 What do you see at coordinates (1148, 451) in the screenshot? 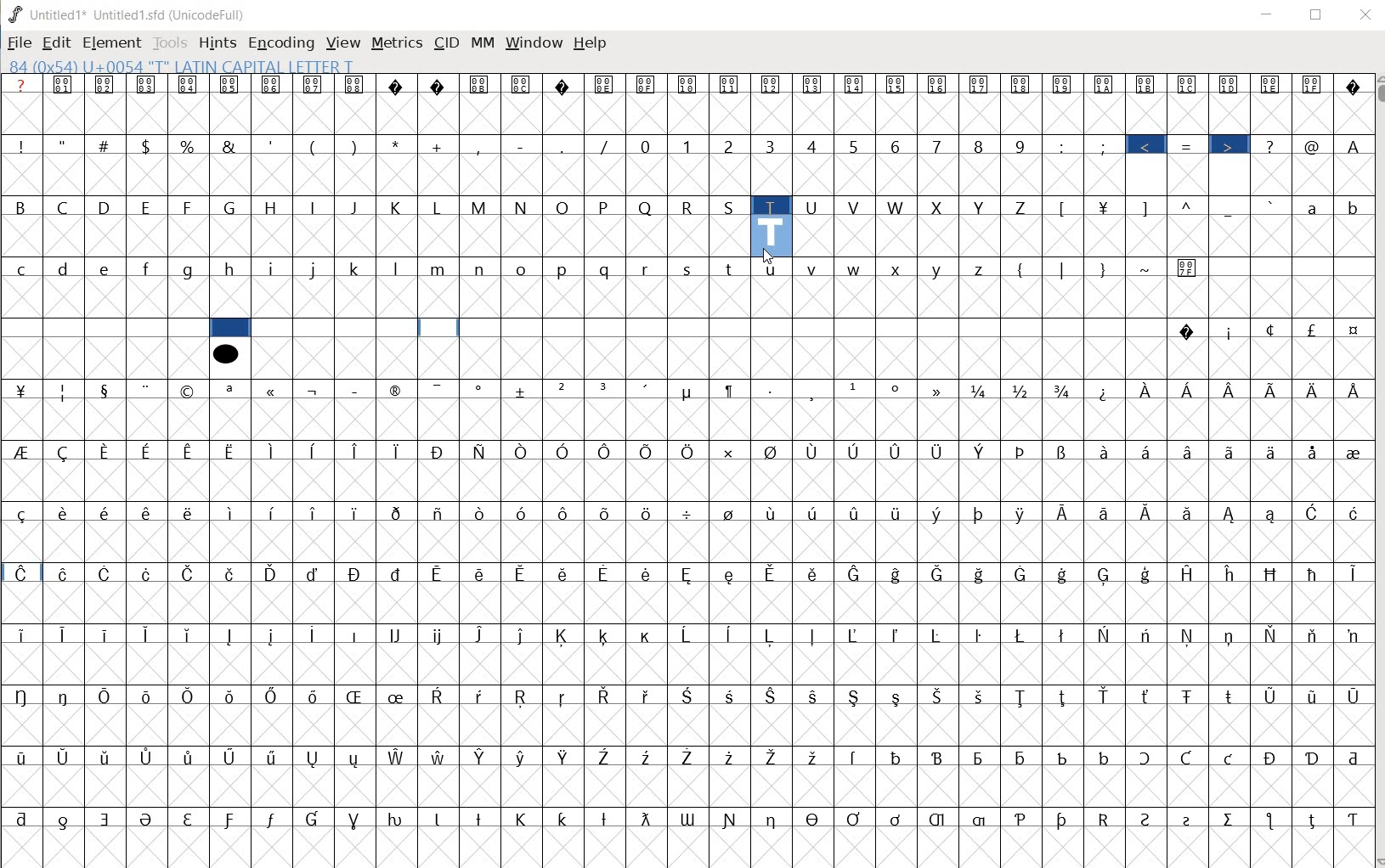
I see `Symbol` at bounding box center [1148, 451].